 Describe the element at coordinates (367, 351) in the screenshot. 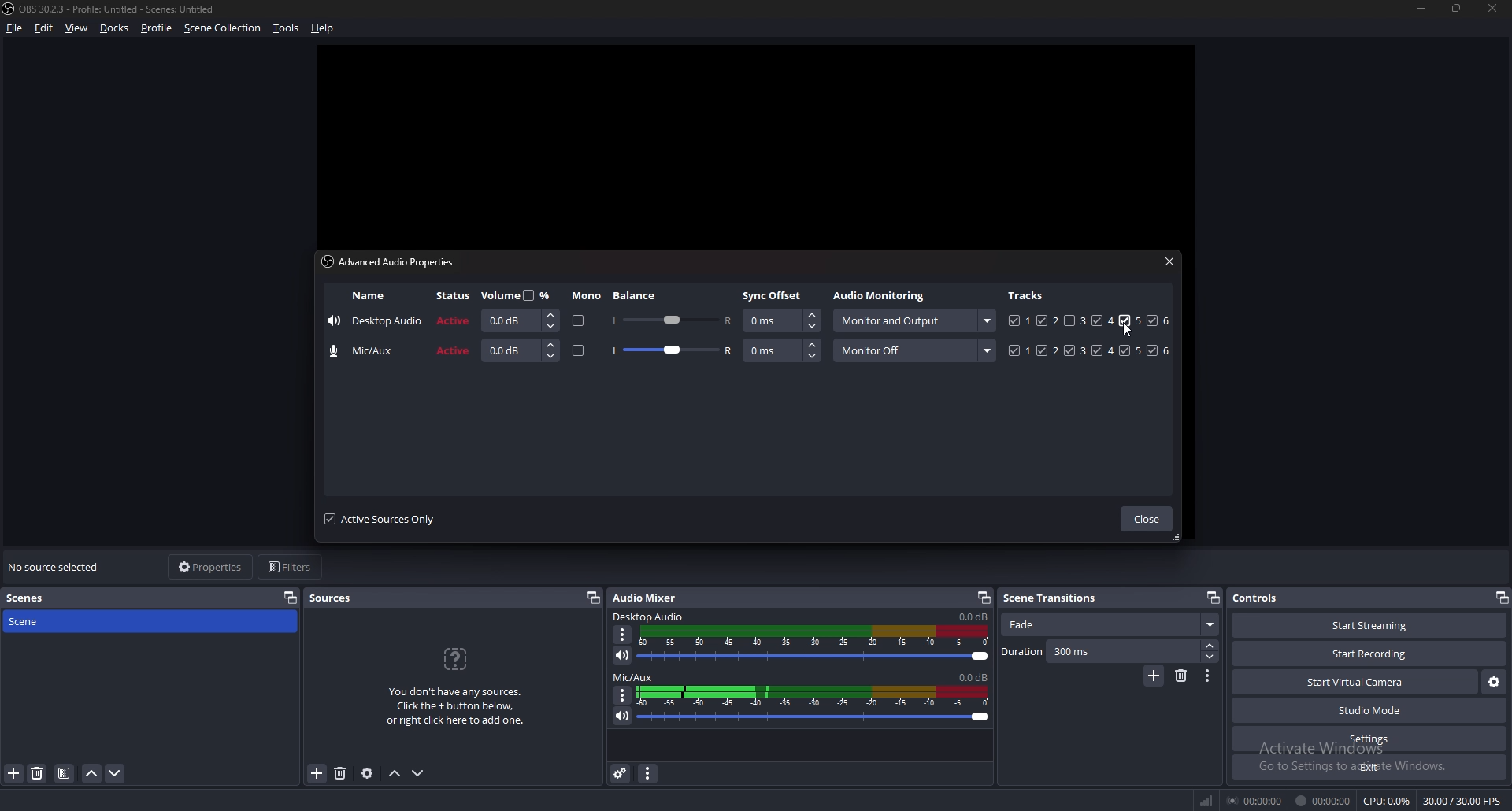

I see `mic/aux` at that location.